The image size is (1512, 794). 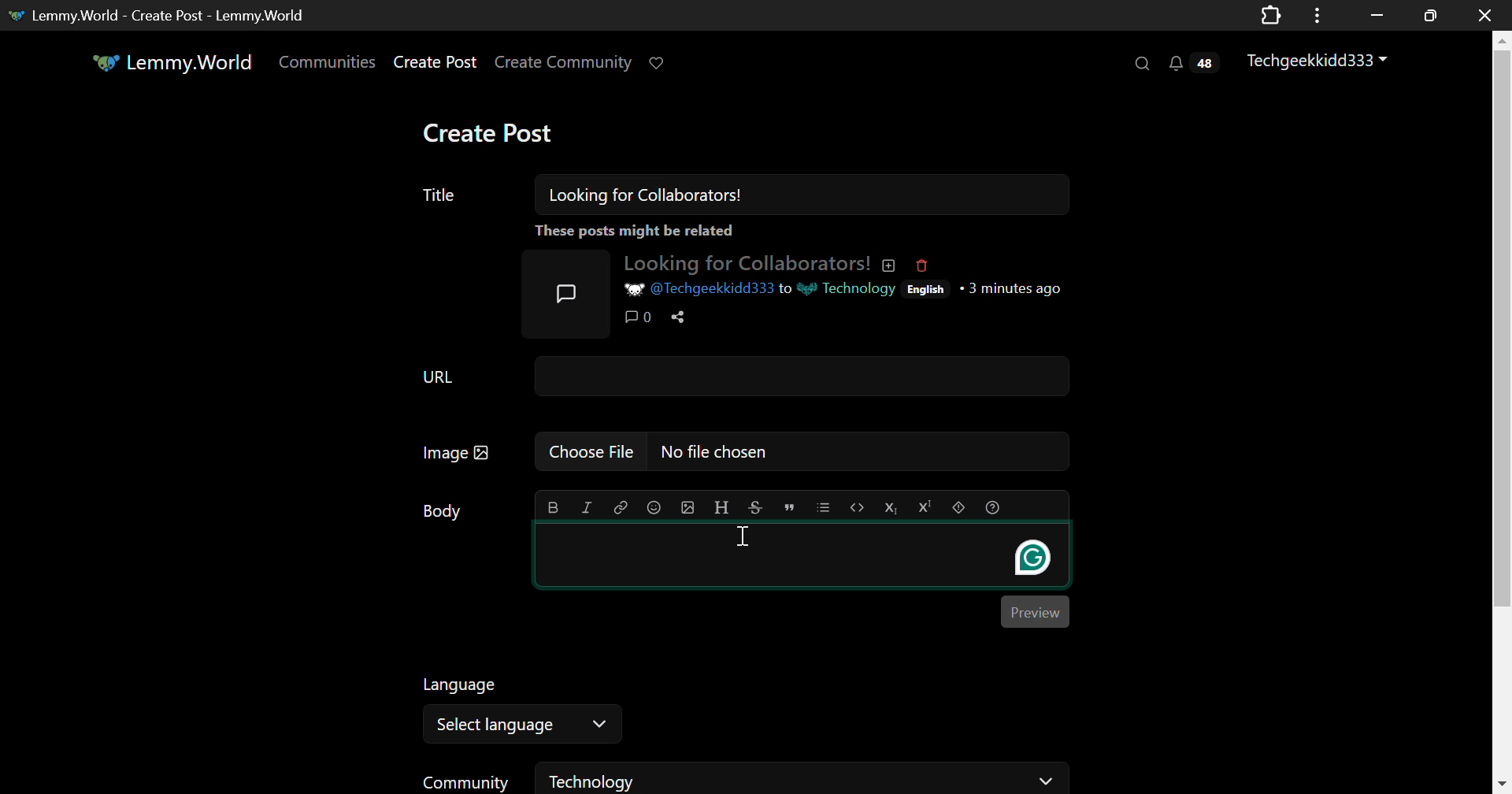 What do you see at coordinates (1501, 412) in the screenshot?
I see `Vertical Scroll Bar` at bounding box center [1501, 412].